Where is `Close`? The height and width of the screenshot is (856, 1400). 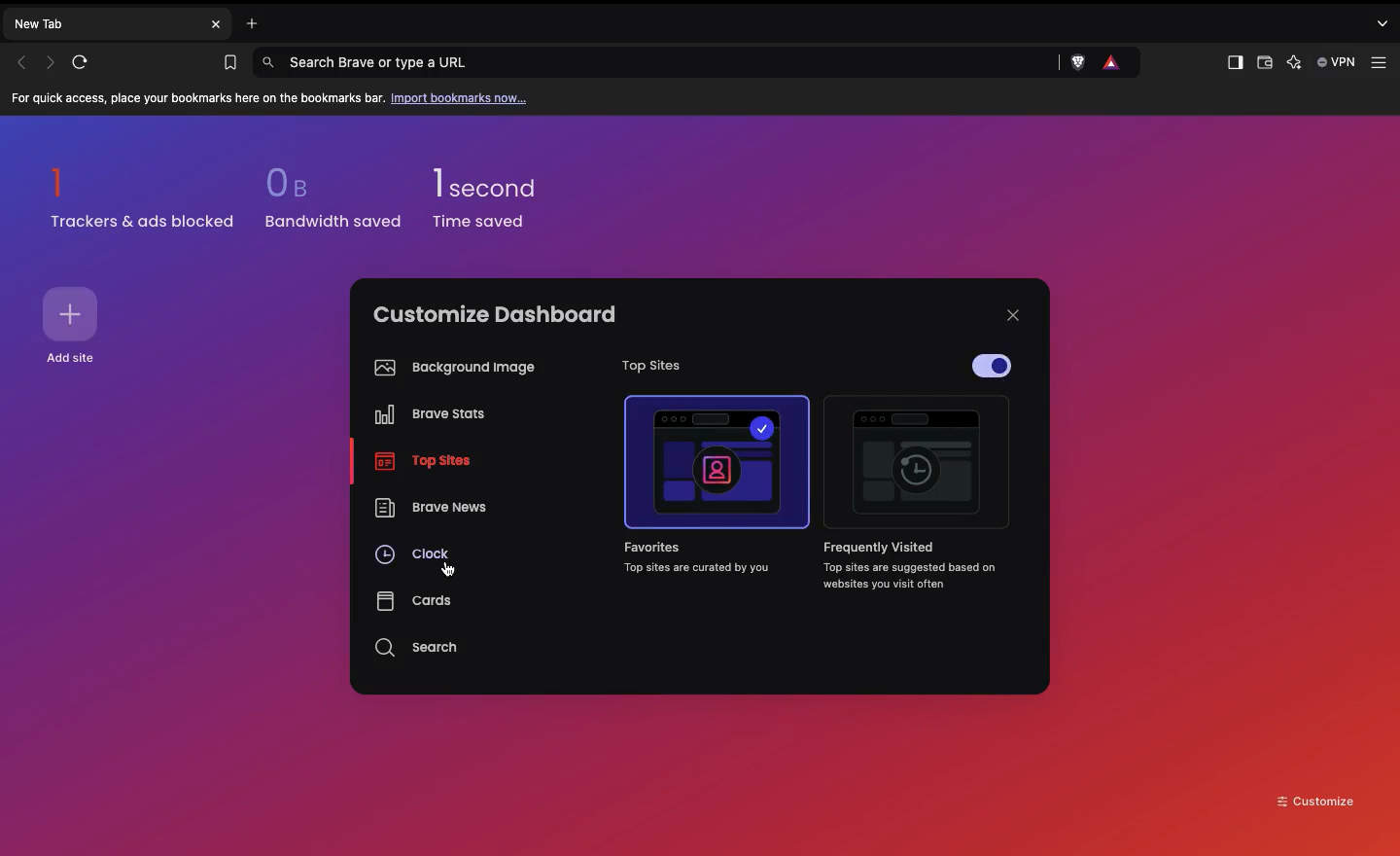
Close is located at coordinates (1013, 315).